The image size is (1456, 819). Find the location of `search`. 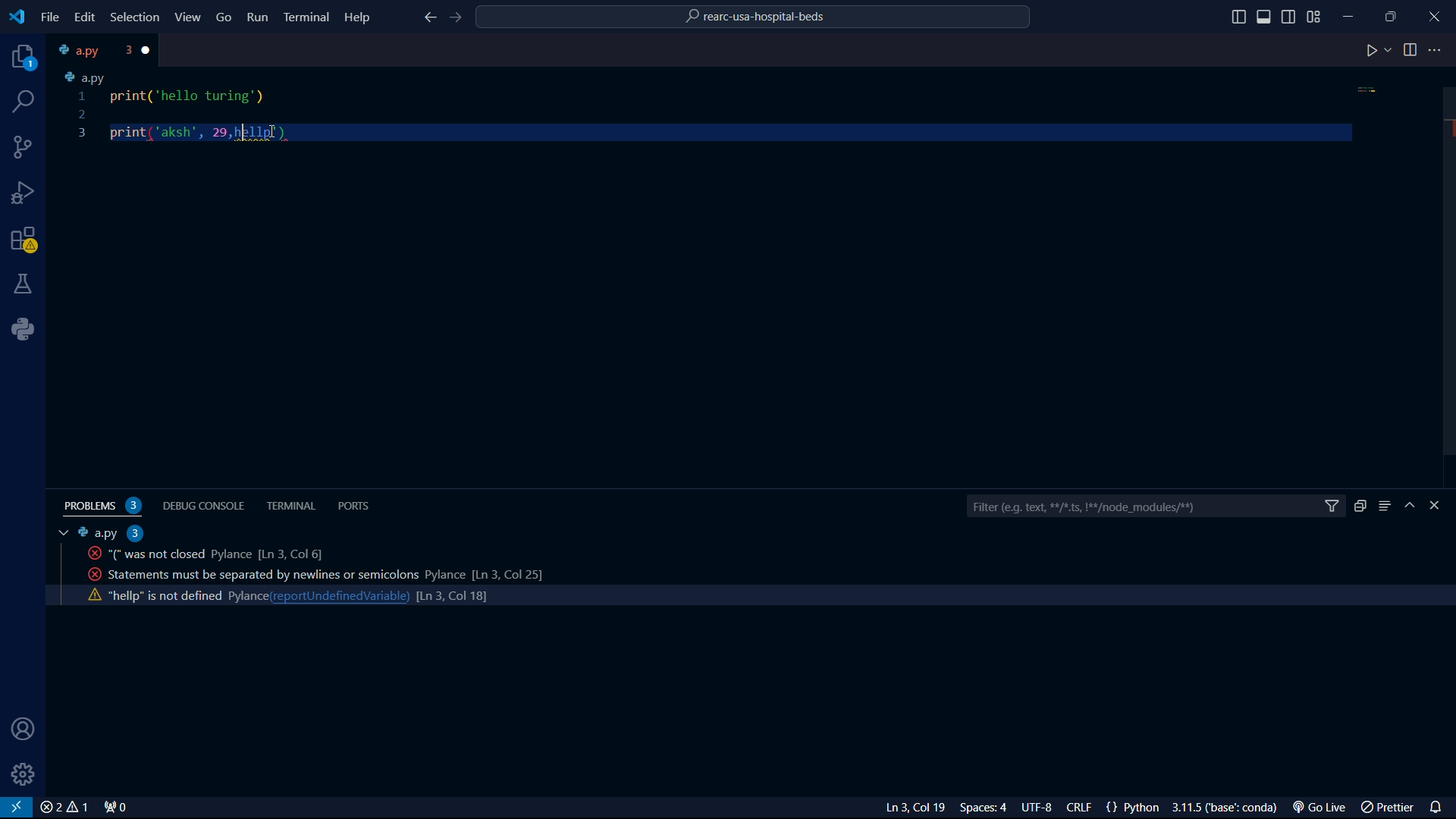

search is located at coordinates (25, 102).